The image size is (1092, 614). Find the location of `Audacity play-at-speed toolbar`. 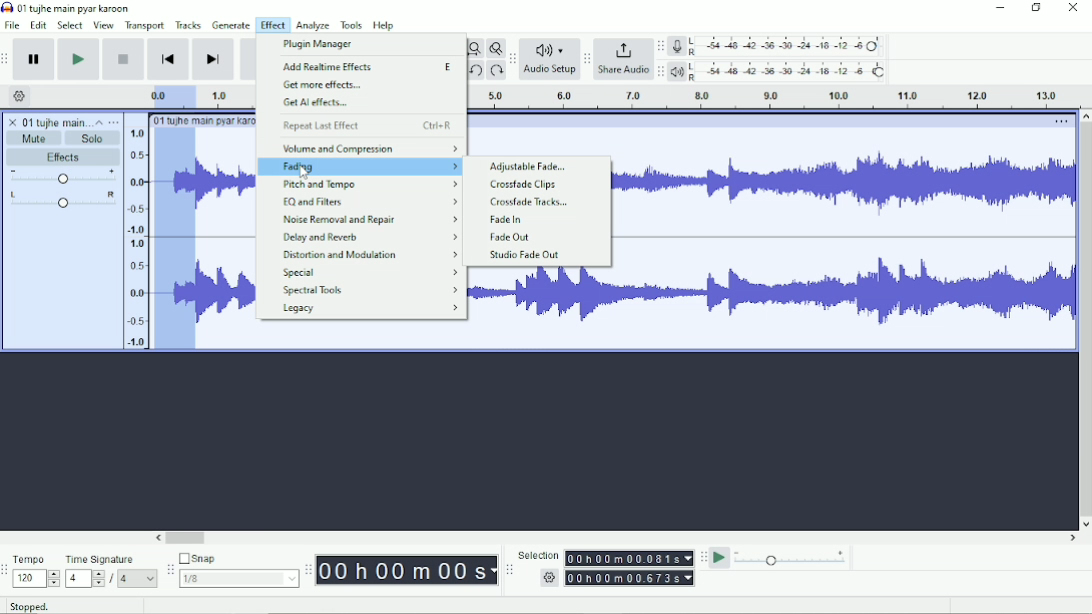

Audacity play-at-speed toolbar is located at coordinates (702, 557).